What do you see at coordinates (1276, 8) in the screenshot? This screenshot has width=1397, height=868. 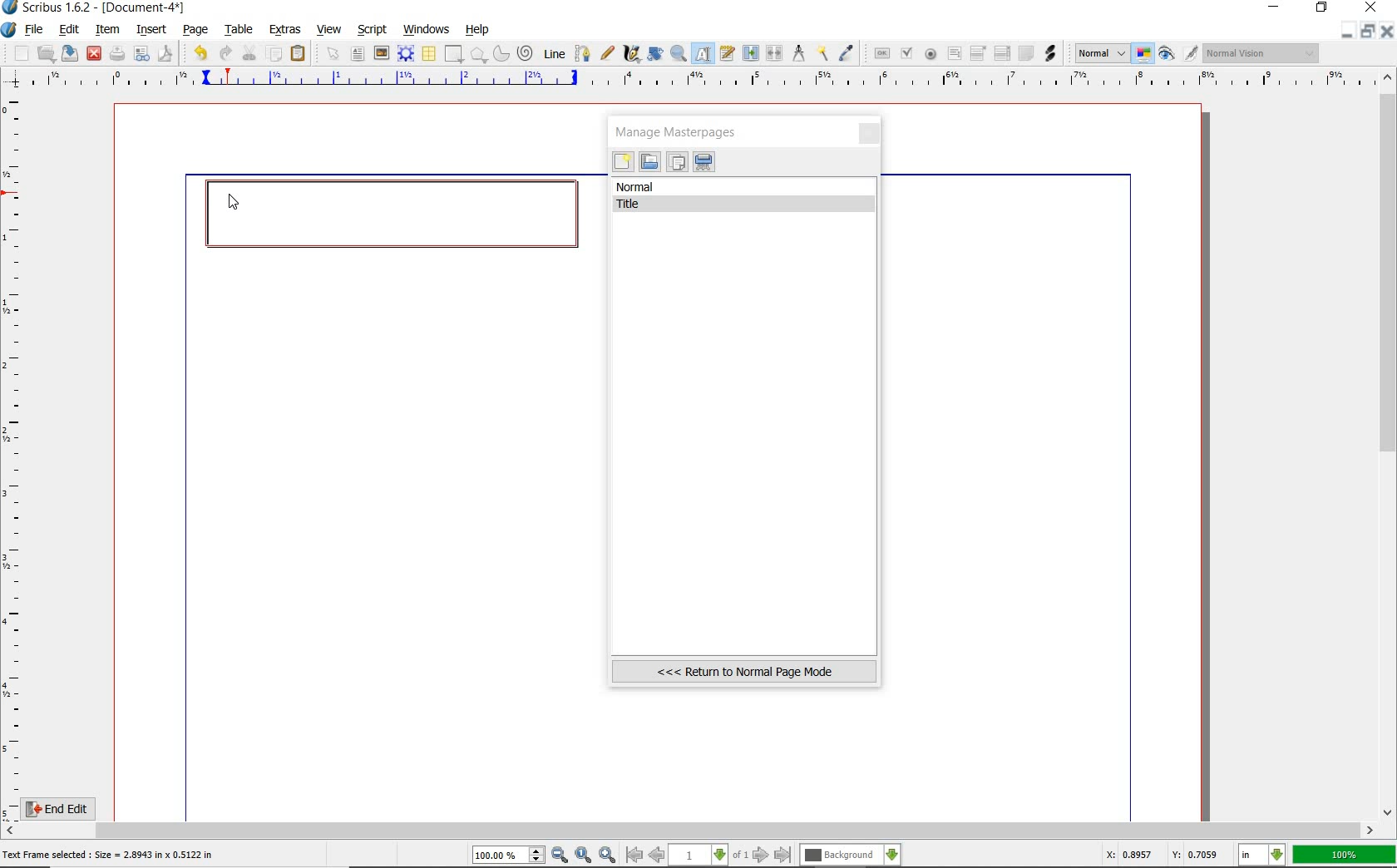 I see `minimize` at bounding box center [1276, 8].